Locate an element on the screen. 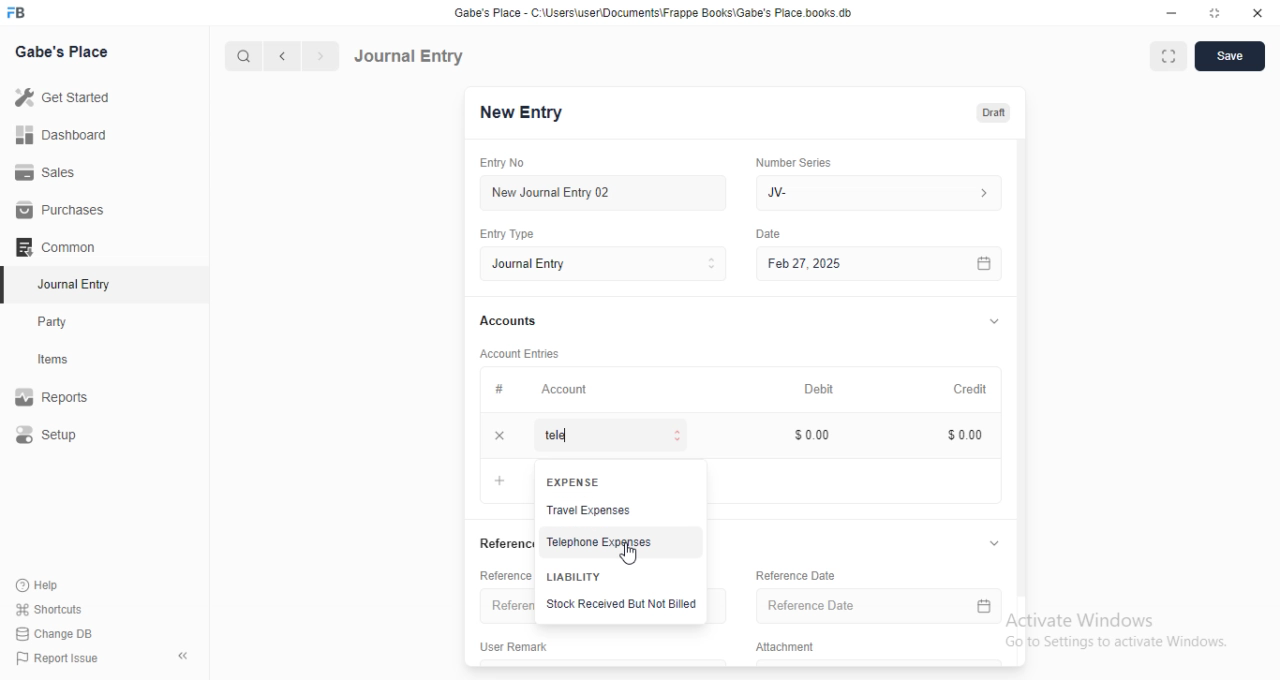 The height and width of the screenshot is (680, 1280). | Change DB is located at coordinates (55, 632).